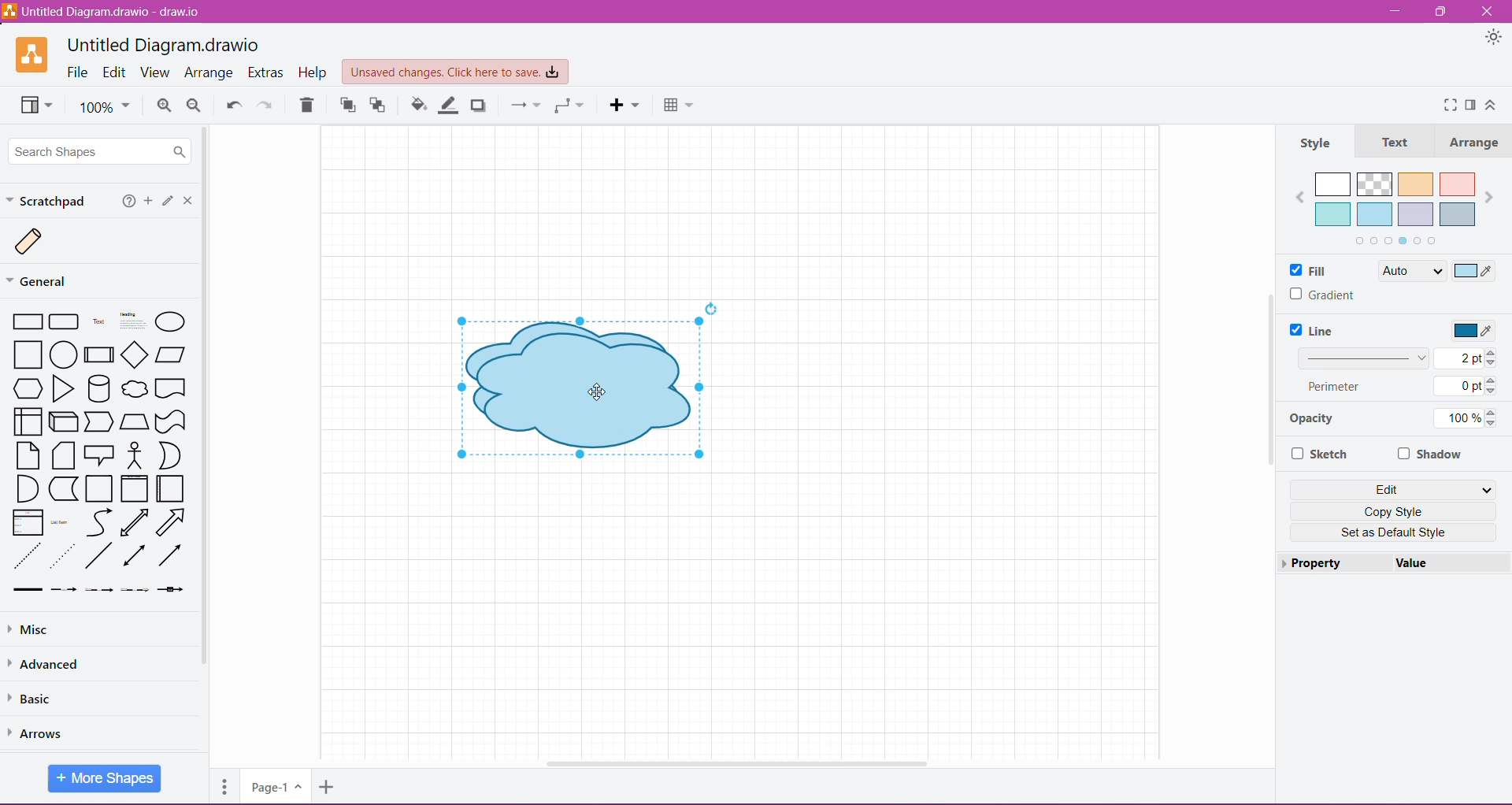 The width and height of the screenshot is (1512, 805). What do you see at coordinates (104, 780) in the screenshot?
I see `More Shapes` at bounding box center [104, 780].